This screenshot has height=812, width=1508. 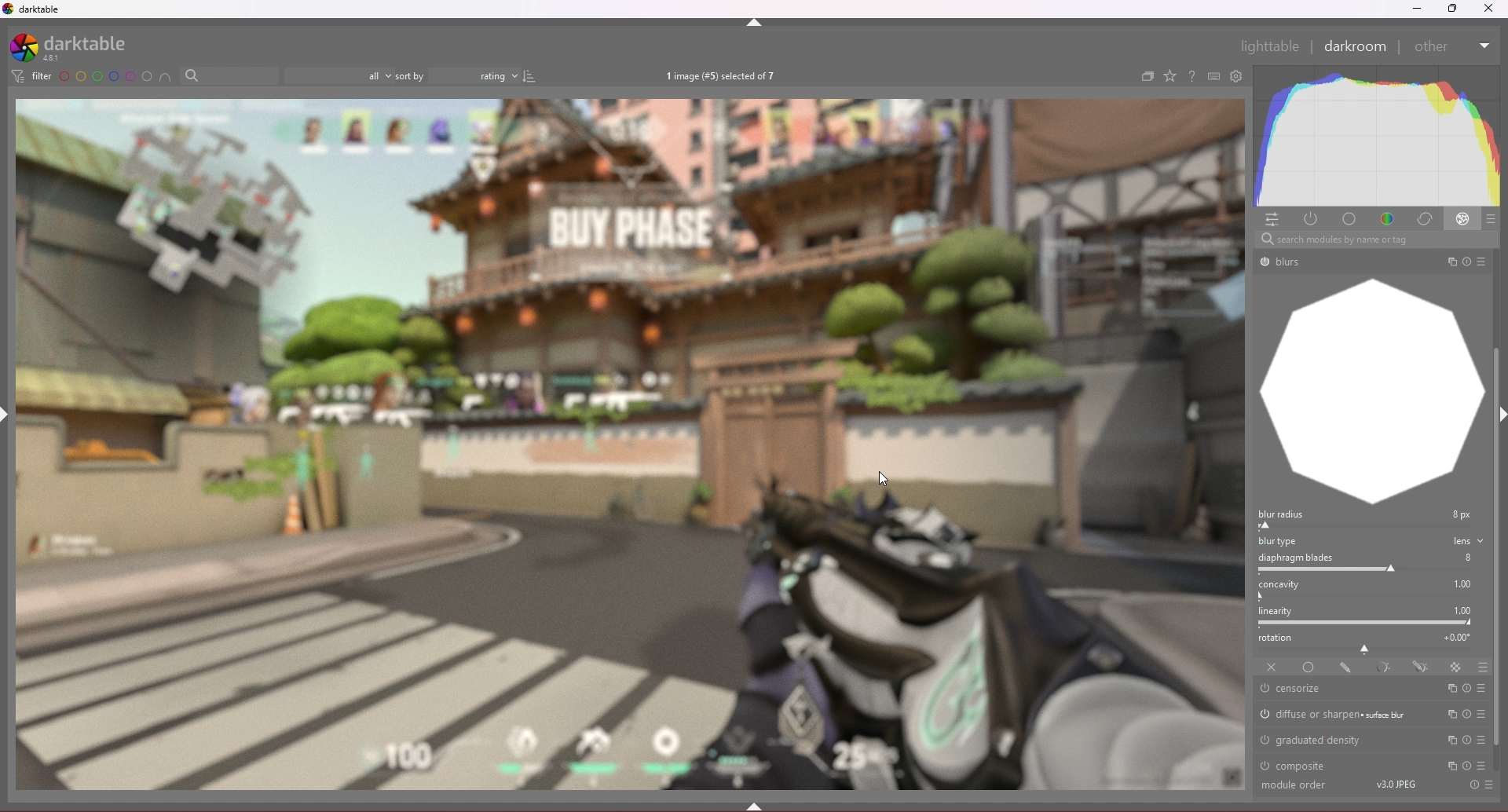 I want to click on include color label, so click(x=164, y=76).